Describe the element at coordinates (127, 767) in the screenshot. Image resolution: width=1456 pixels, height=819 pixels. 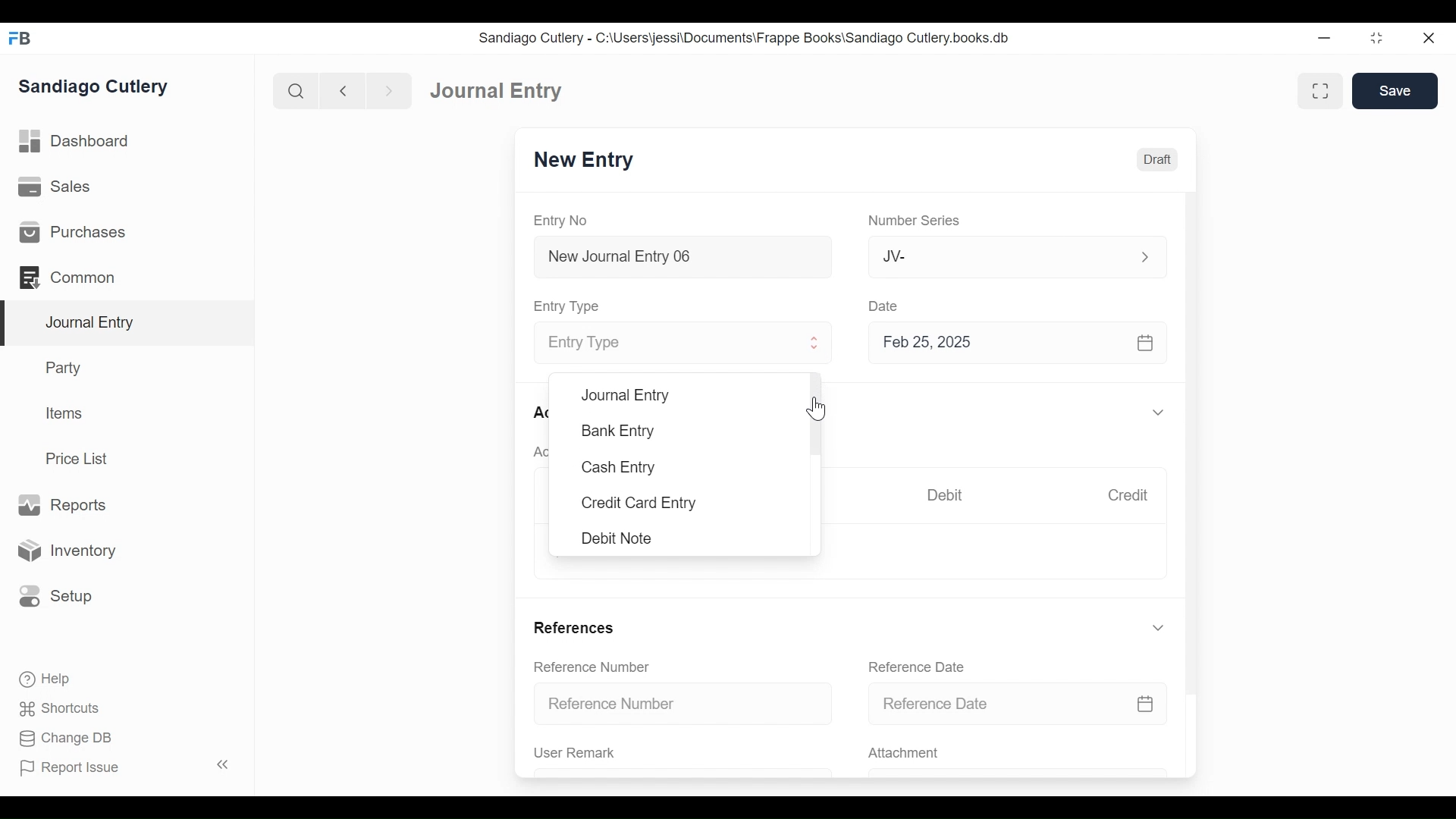
I see `Report Issue` at that location.